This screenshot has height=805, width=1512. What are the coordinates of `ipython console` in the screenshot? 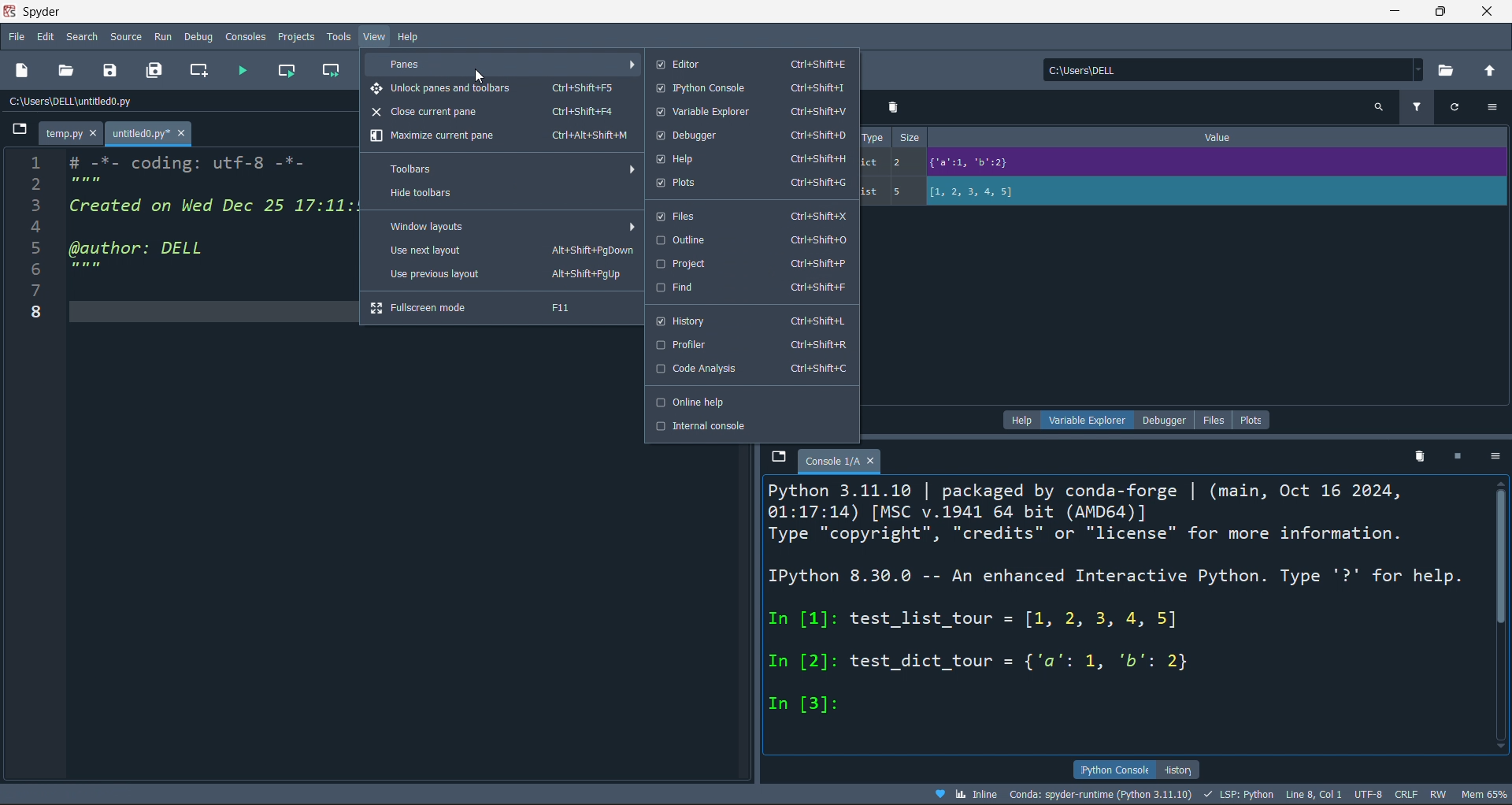 It's located at (1114, 770).